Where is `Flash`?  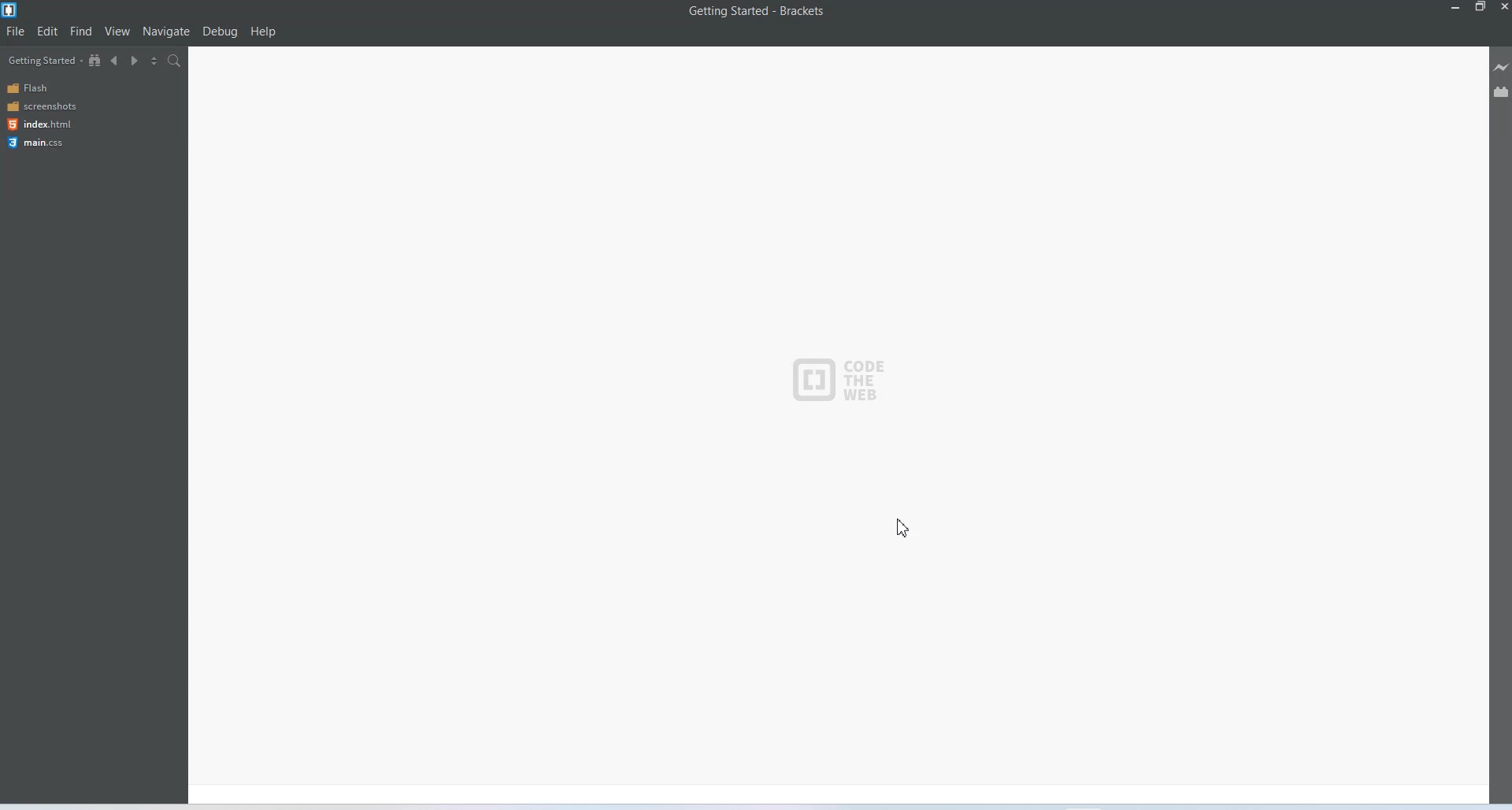 Flash is located at coordinates (39, 89).